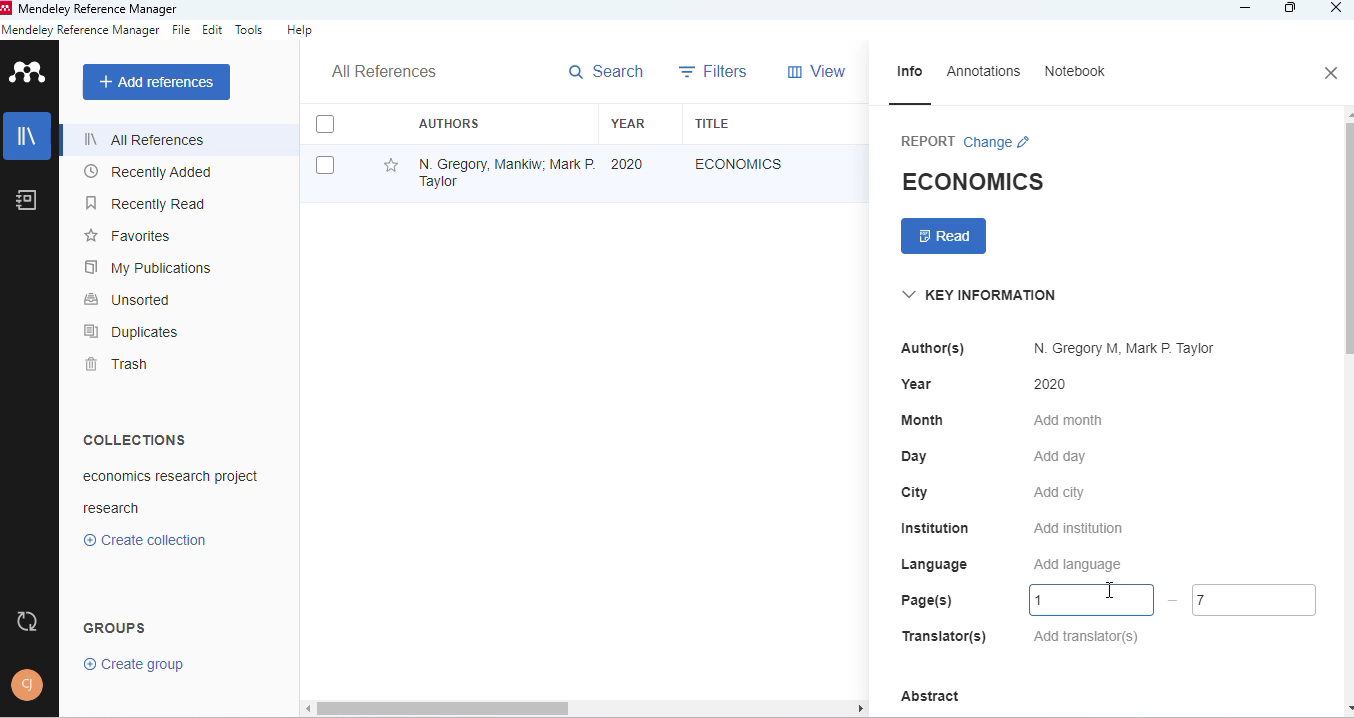 The image size is (1354, 718). I want to click on authors, so click(450, 123).